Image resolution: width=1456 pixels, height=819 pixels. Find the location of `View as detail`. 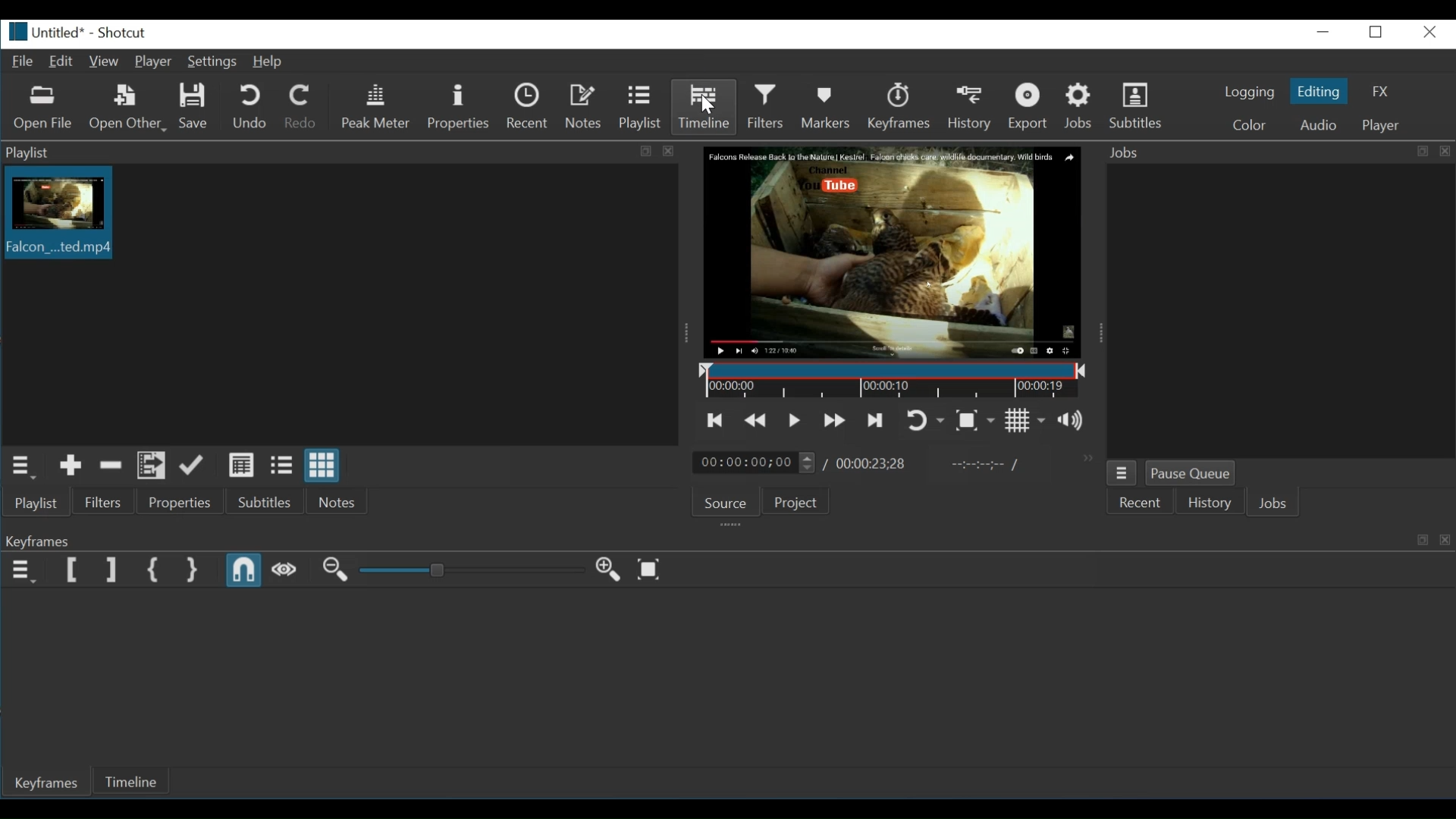

View as detail is located at coordinates (242, 466).